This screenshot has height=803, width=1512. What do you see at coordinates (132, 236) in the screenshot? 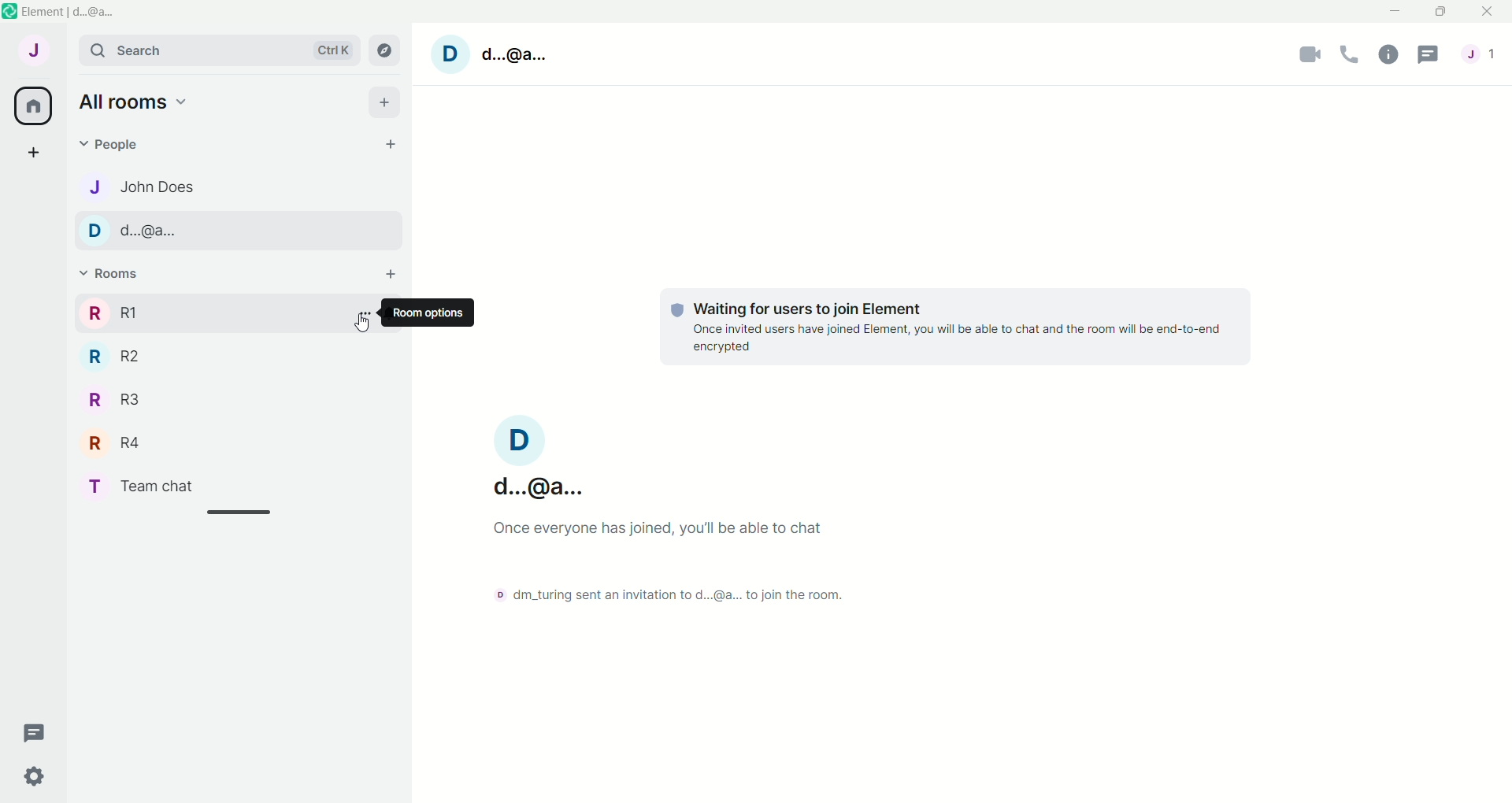
I see `D d.@a..` at bounding box center [132, 236].